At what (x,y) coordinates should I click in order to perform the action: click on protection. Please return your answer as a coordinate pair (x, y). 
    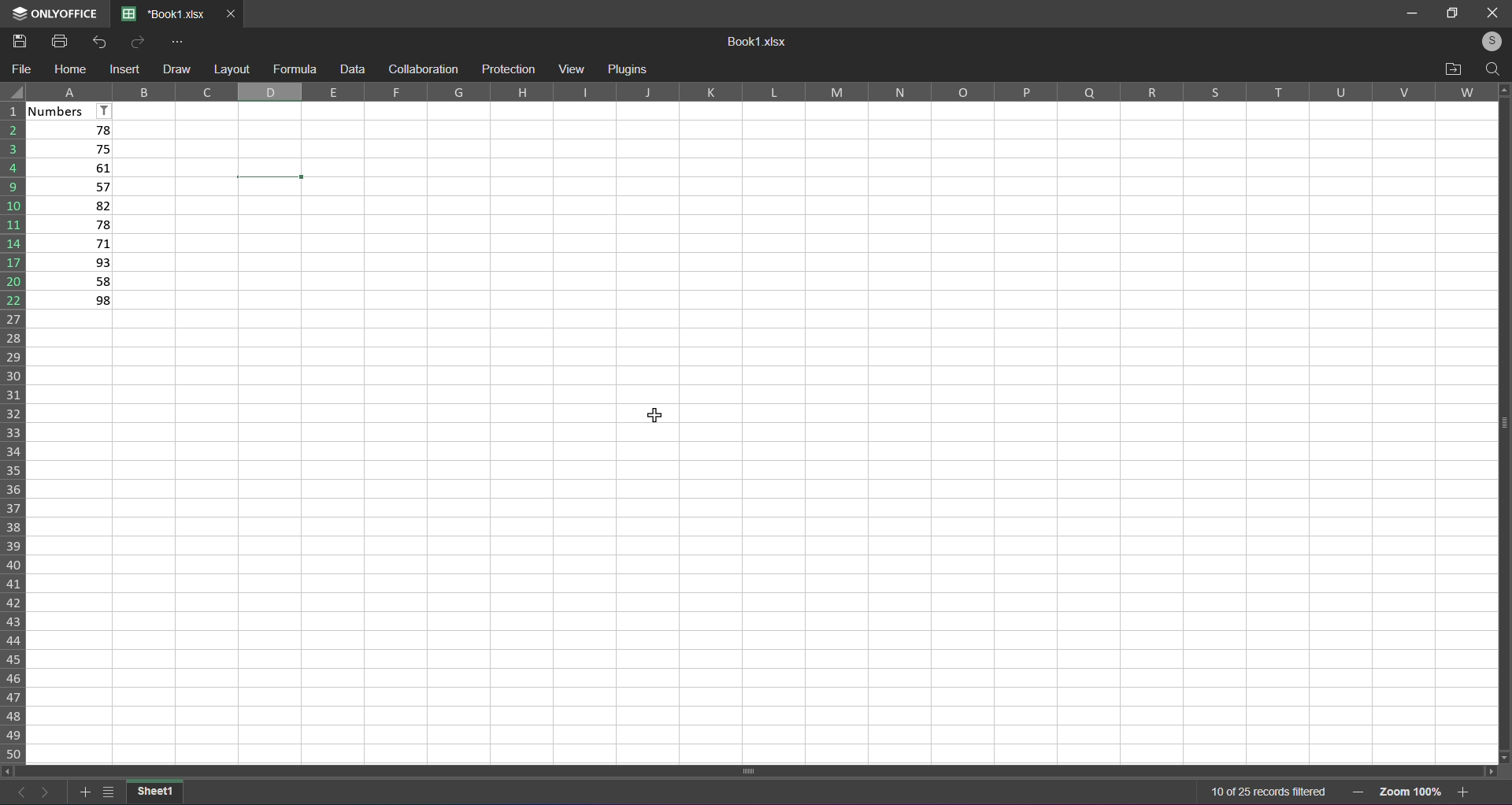
    Looking at the image, I should click on (509, 69).